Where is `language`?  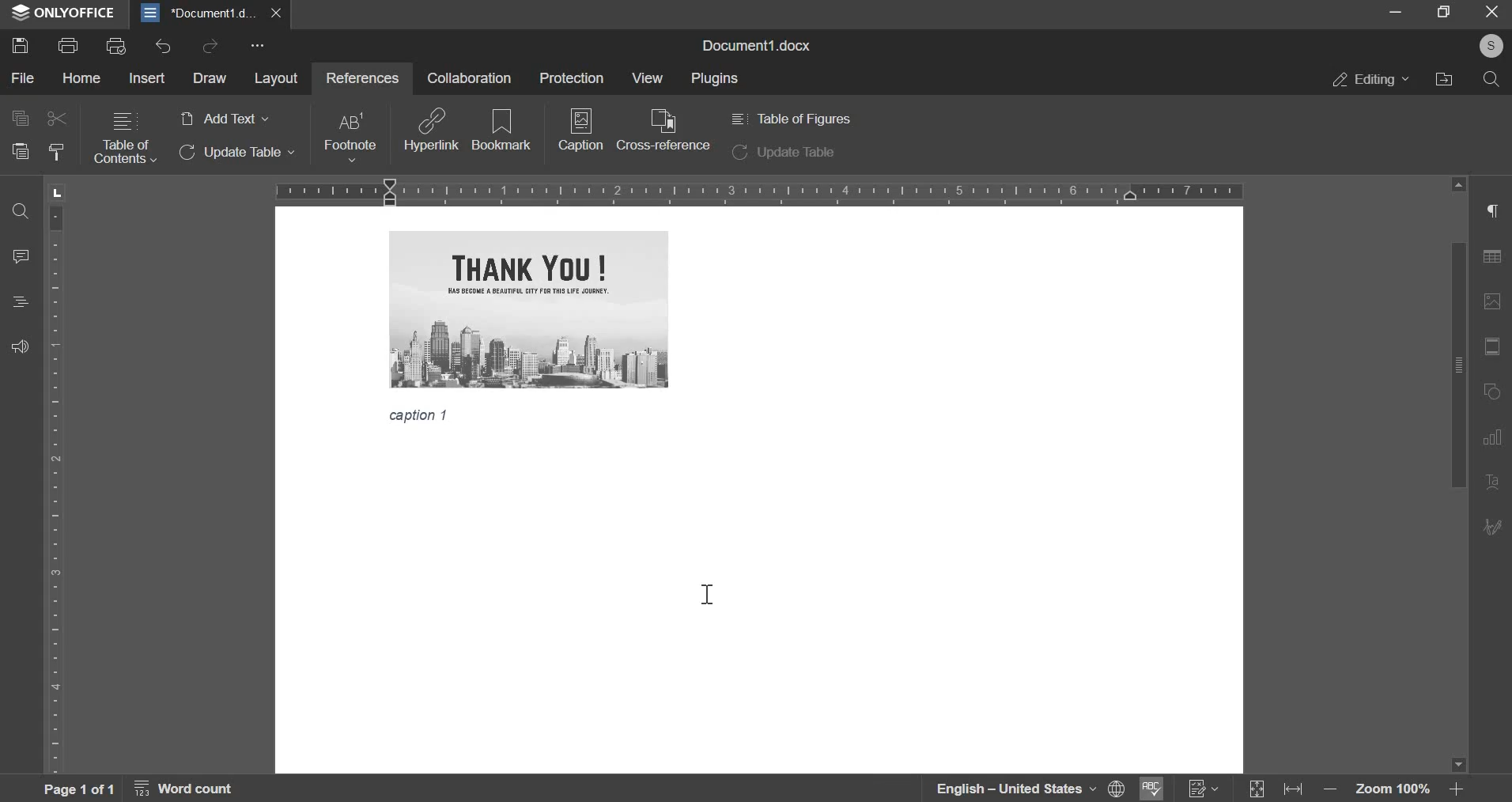 language is located at coordinates (1004, 789).